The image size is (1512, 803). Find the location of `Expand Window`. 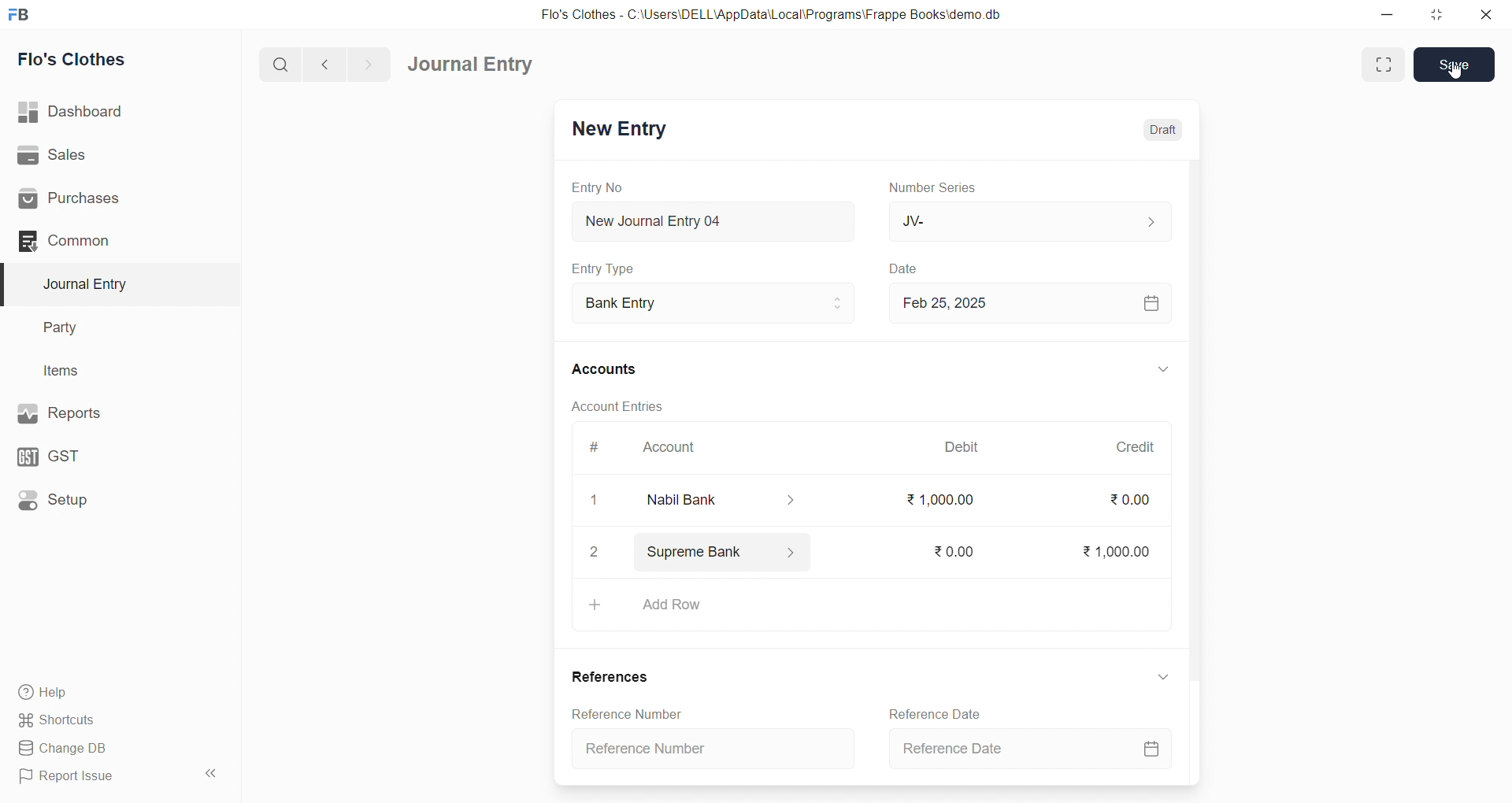

Expand Window is located at coordinates (1384, 65).